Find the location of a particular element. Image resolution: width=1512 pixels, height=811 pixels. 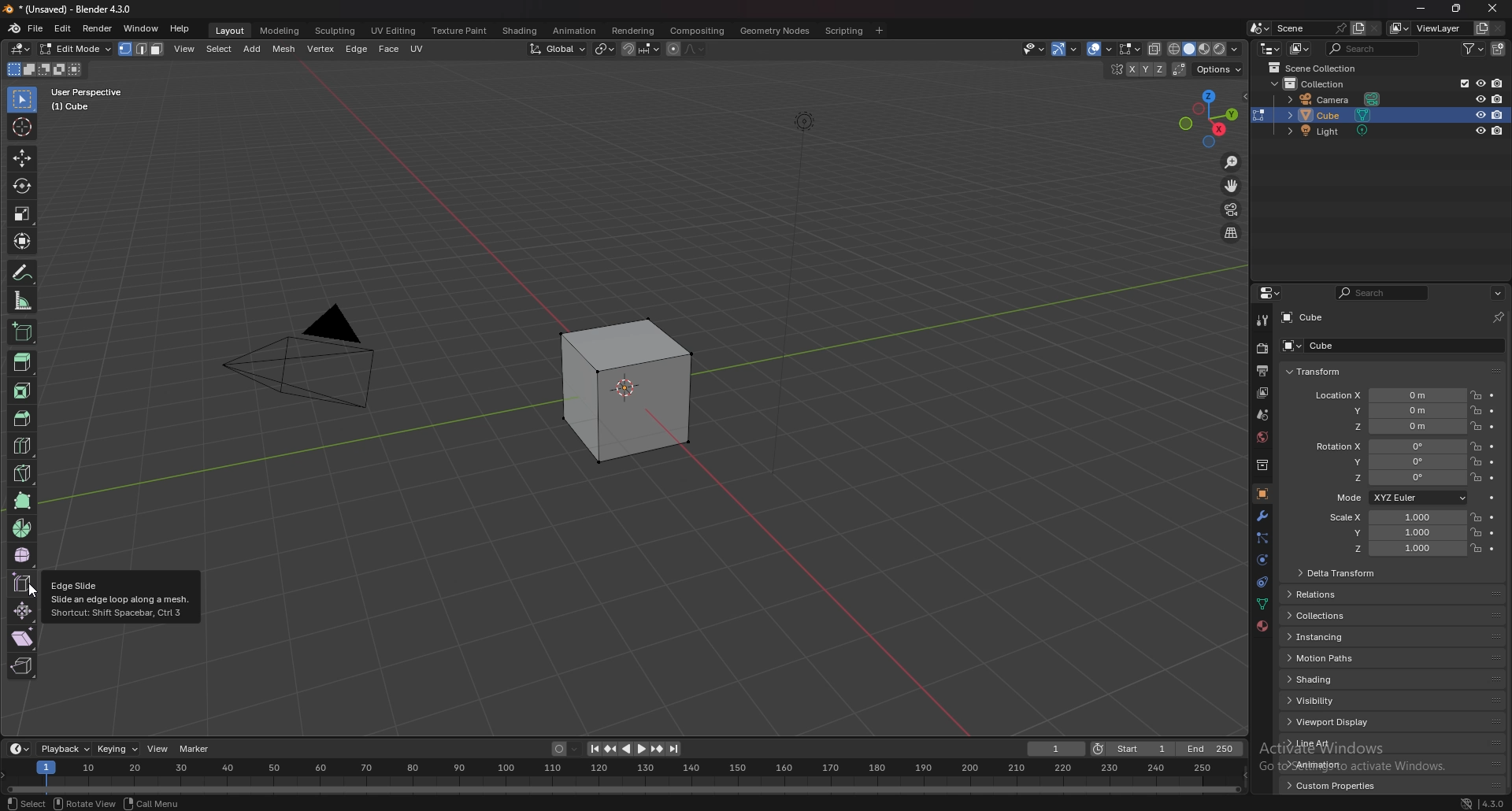

editor type is located at coordinates (19, 749).